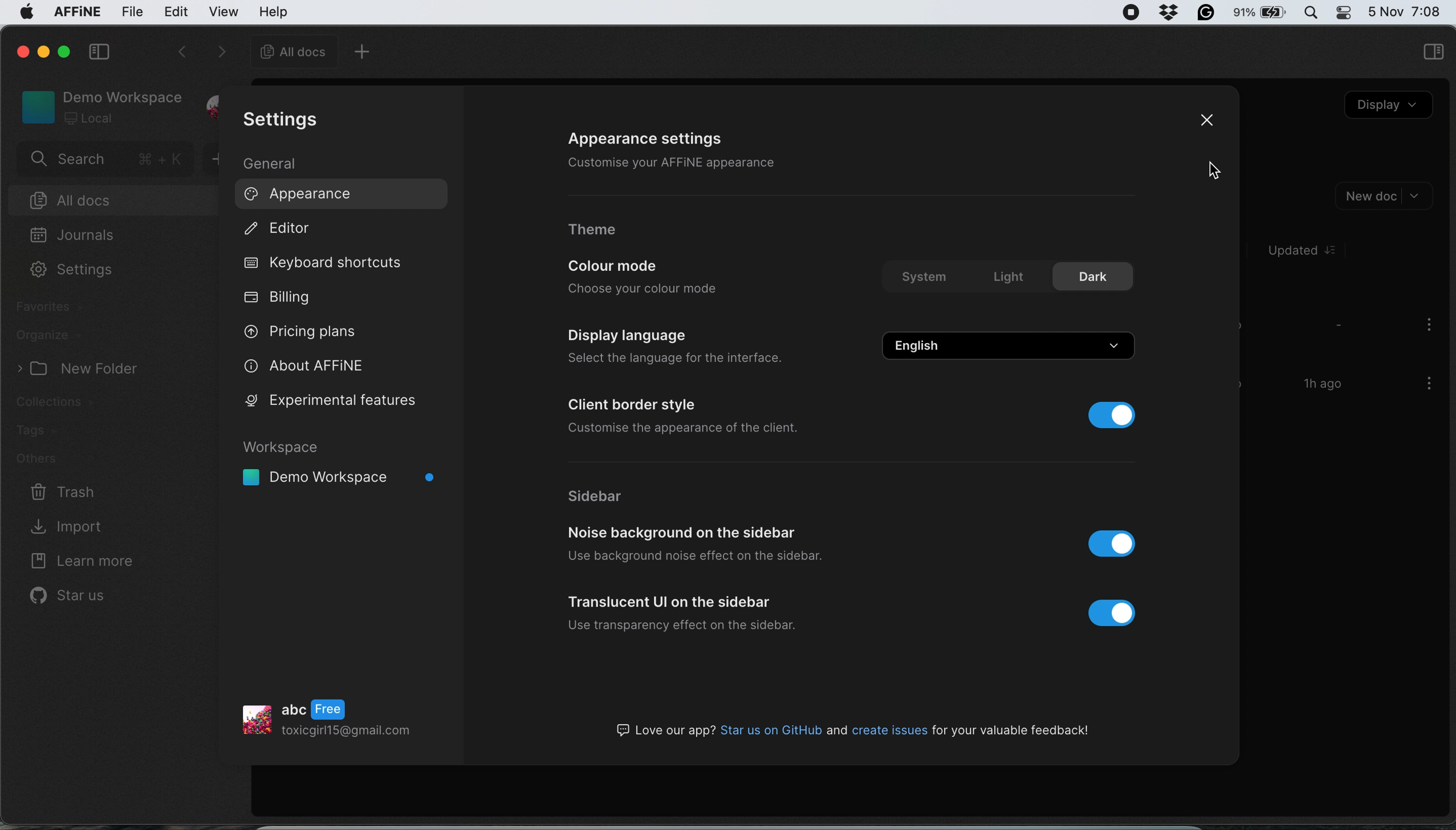 This screenshot has width=1456, height=830. Describe the element at coordinates (303, 335) in the screenshot. I see `pricing plans` at that location.